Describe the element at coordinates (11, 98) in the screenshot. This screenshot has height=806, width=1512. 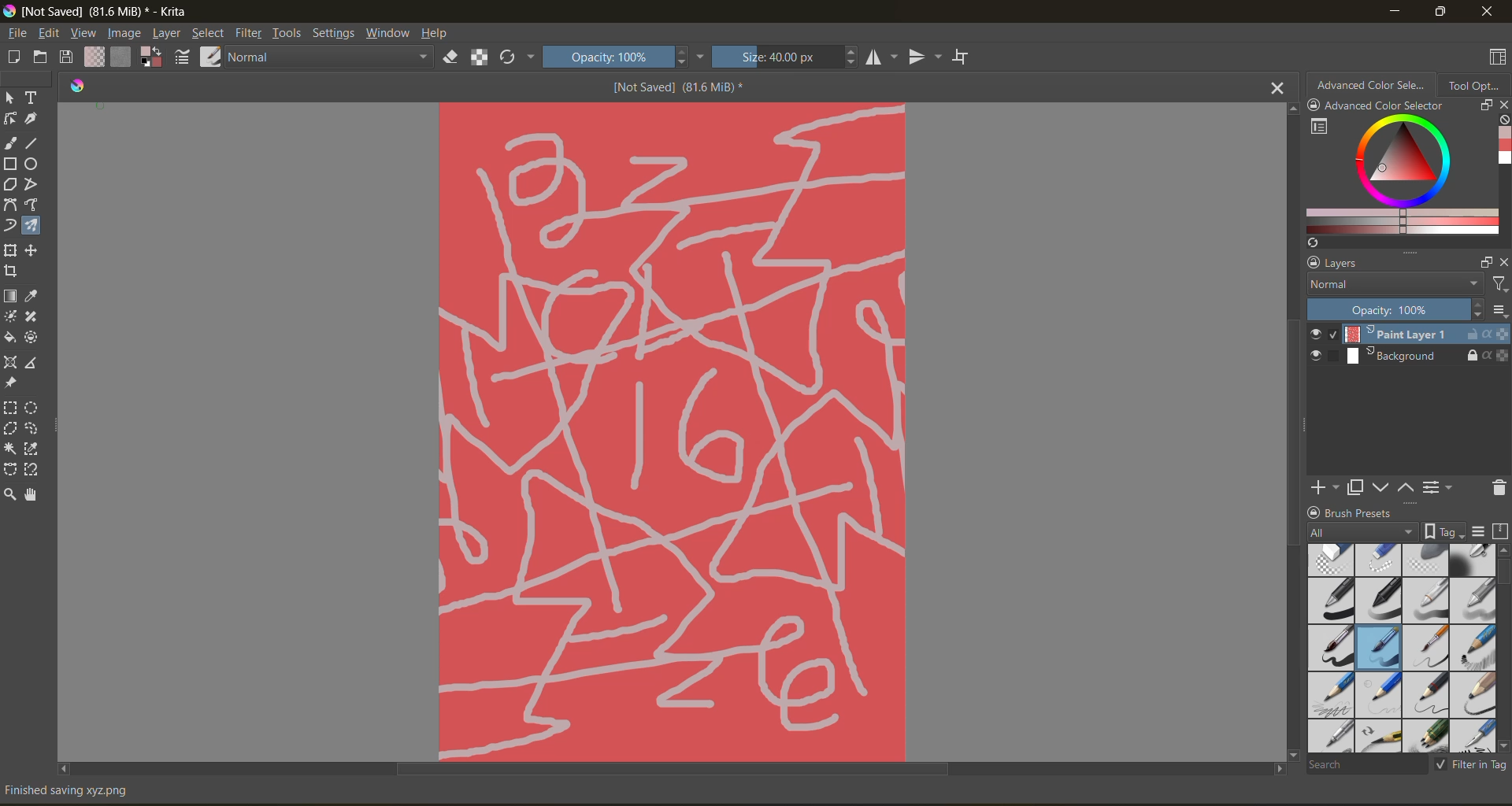
I see `tool` at that location.